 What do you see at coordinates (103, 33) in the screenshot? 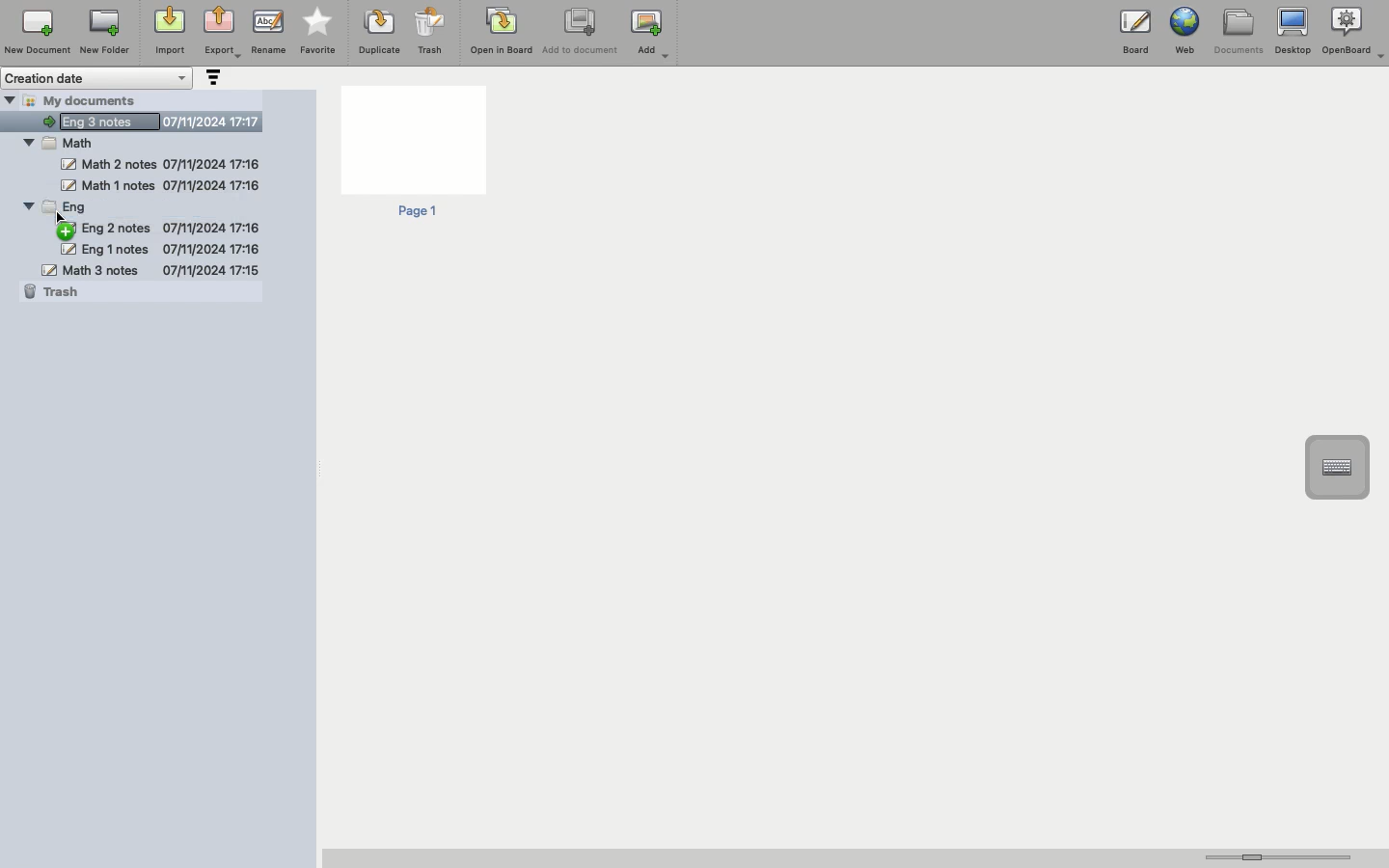
I see `New folder` at bounding box center [103, 33].